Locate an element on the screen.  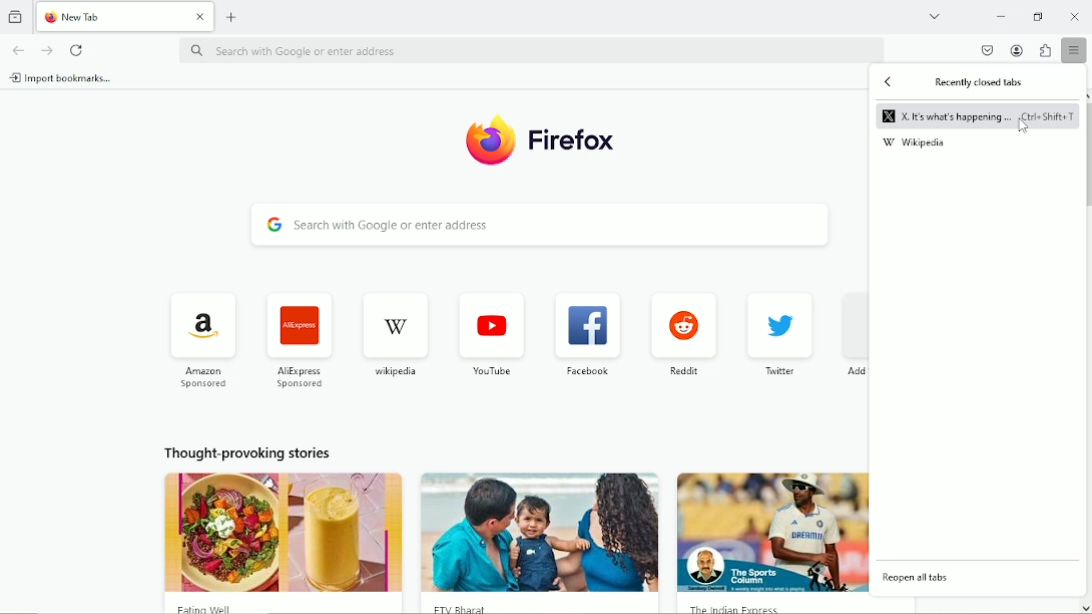
image is located at coordinates (541, 532).